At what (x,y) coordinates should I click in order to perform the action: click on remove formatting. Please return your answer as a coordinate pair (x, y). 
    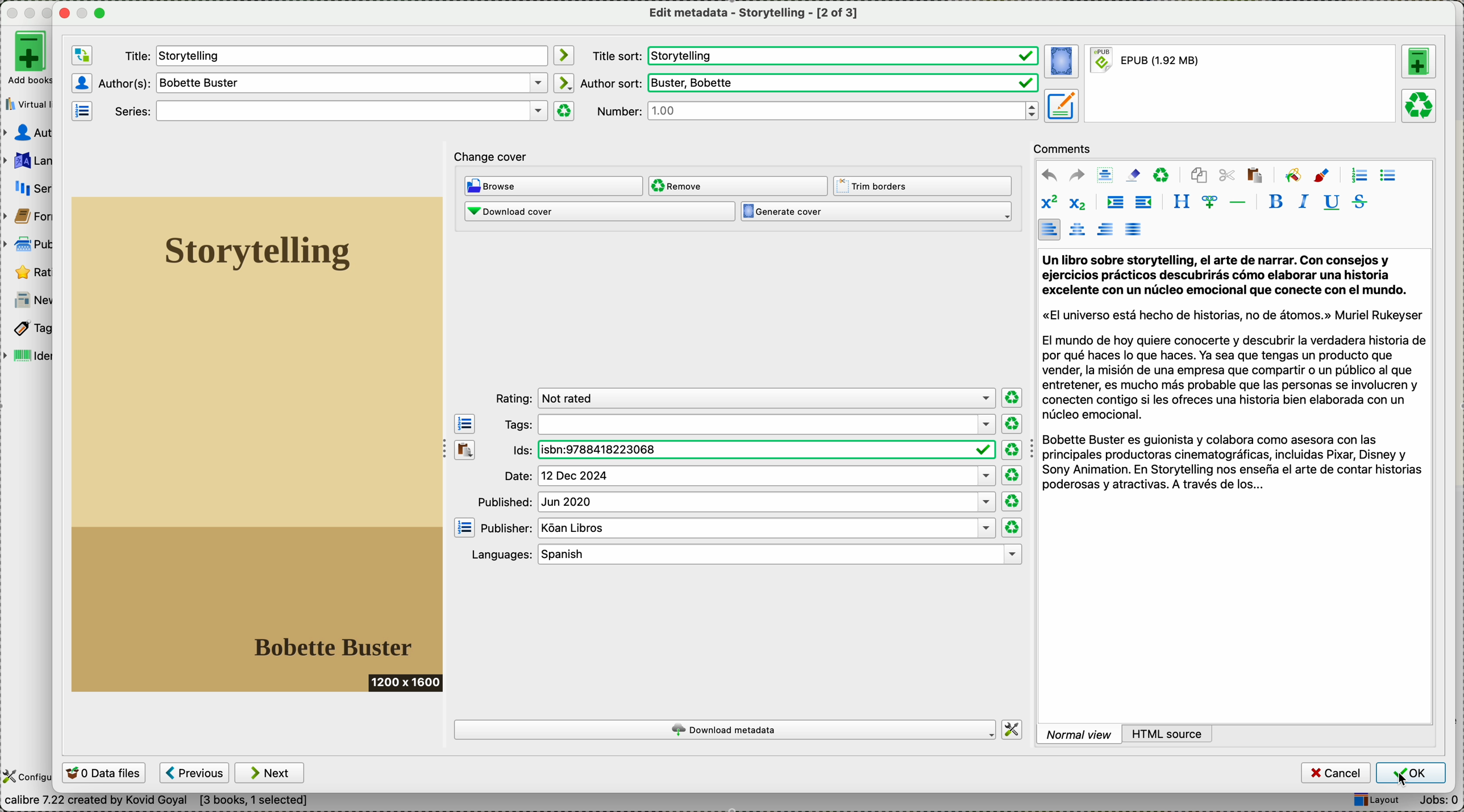
    Looking at the image, I should click on (1133, 175).